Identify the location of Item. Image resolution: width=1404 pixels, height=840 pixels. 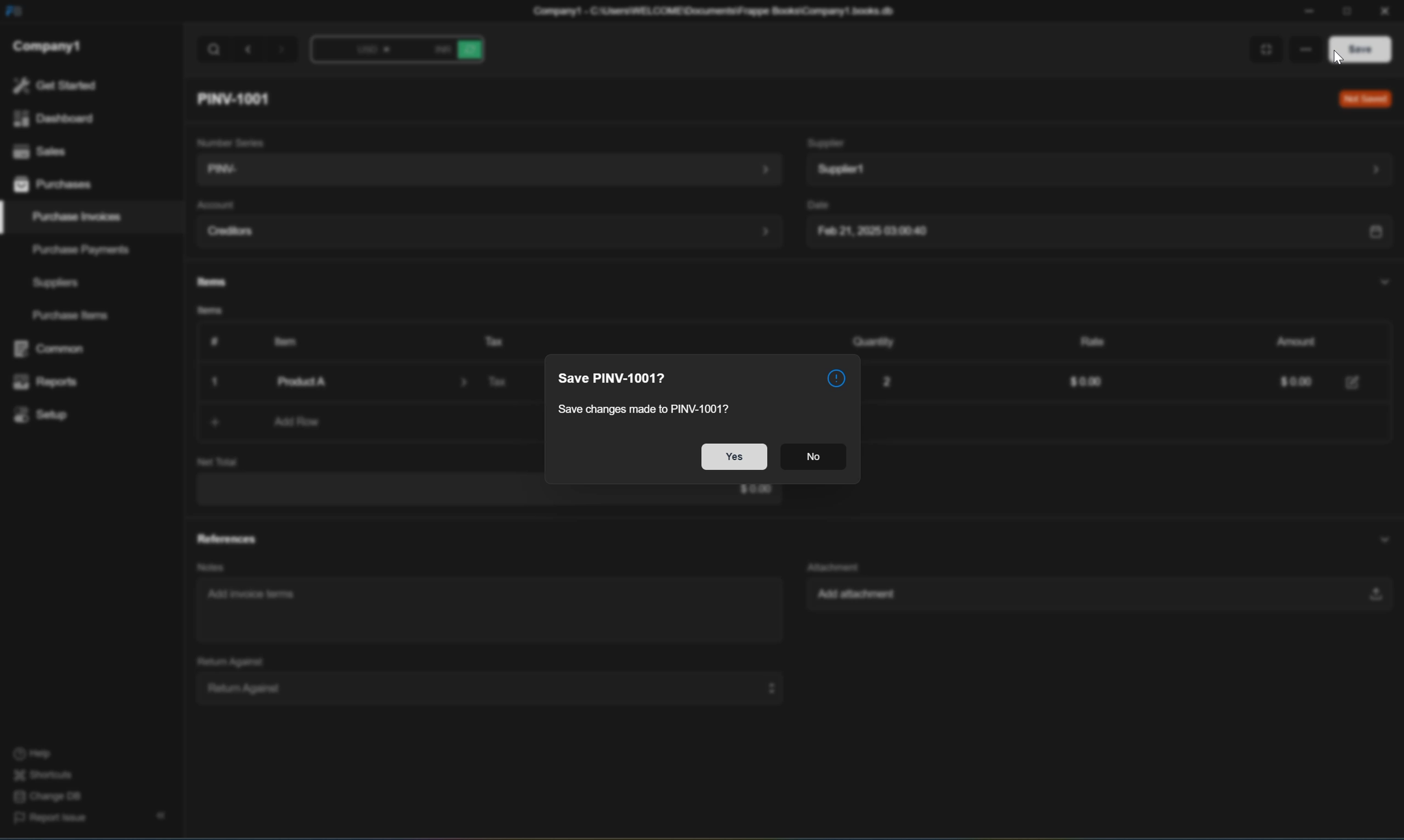
(280, 341).